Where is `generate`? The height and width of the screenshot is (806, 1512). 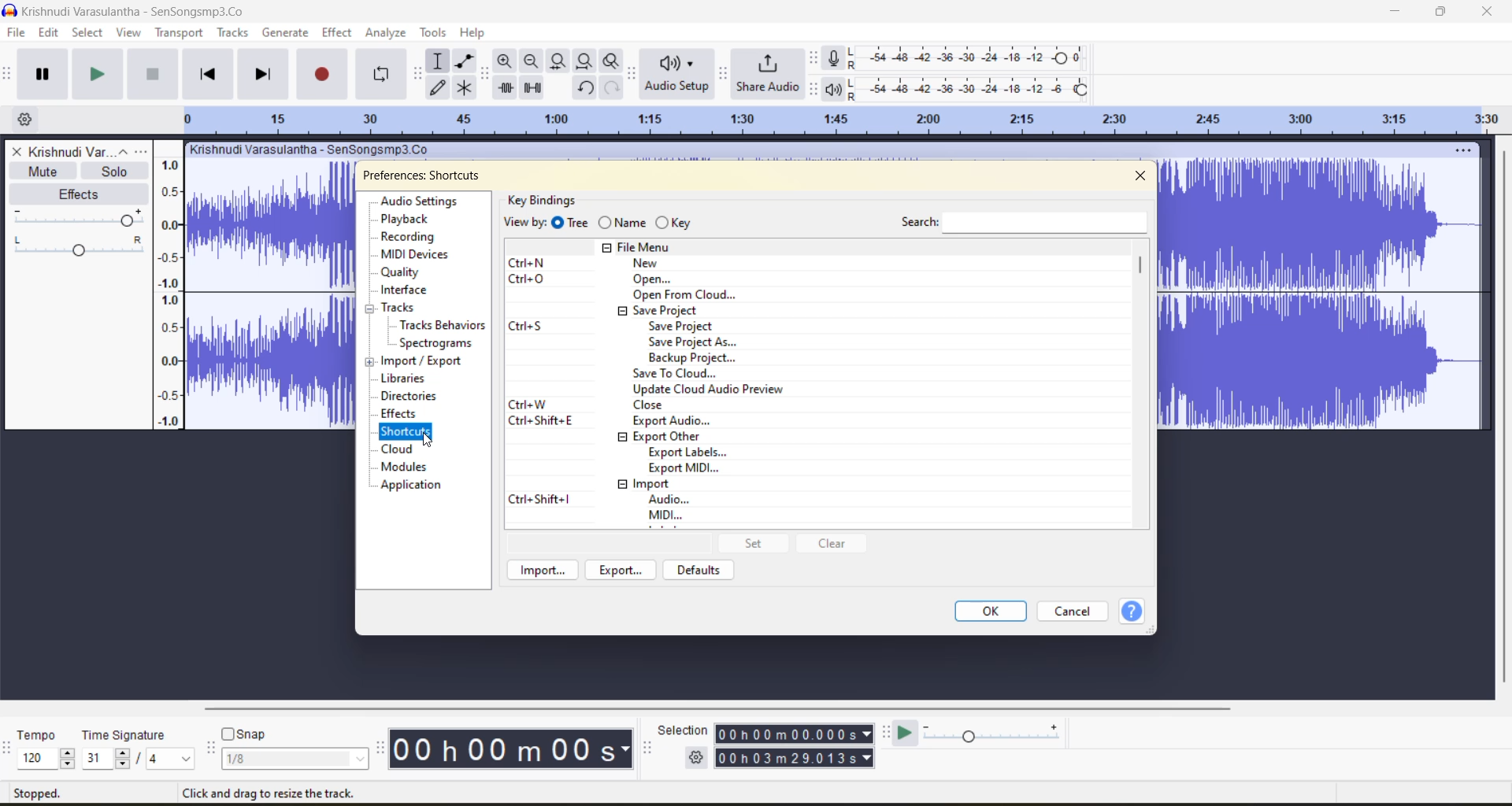
generate is located at coordinates (286, 34).